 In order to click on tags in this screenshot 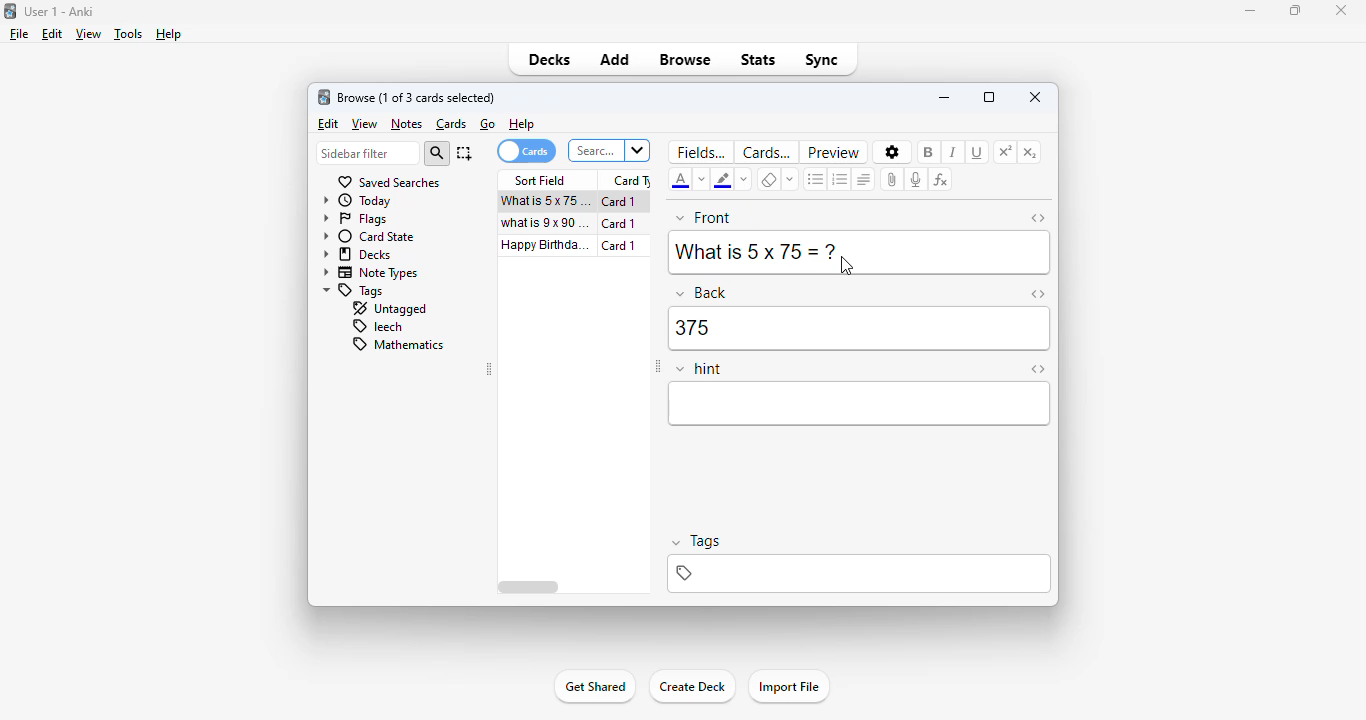, I will do `click(861, 574)`.